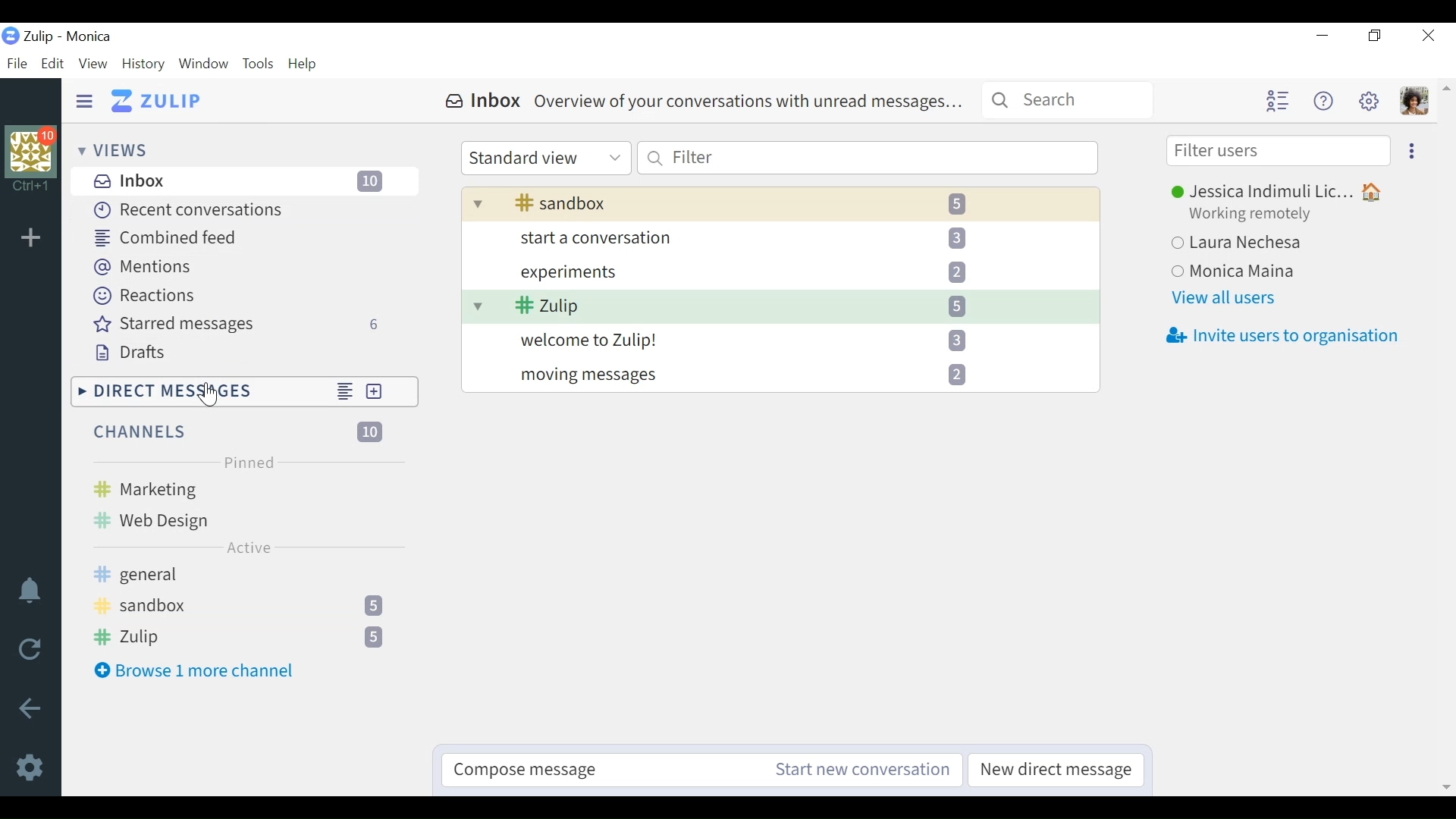  What do you see at coordinates (83, 101) in the screenshot?
I see `Hide Side Pane` at bounding box center [83, 101].